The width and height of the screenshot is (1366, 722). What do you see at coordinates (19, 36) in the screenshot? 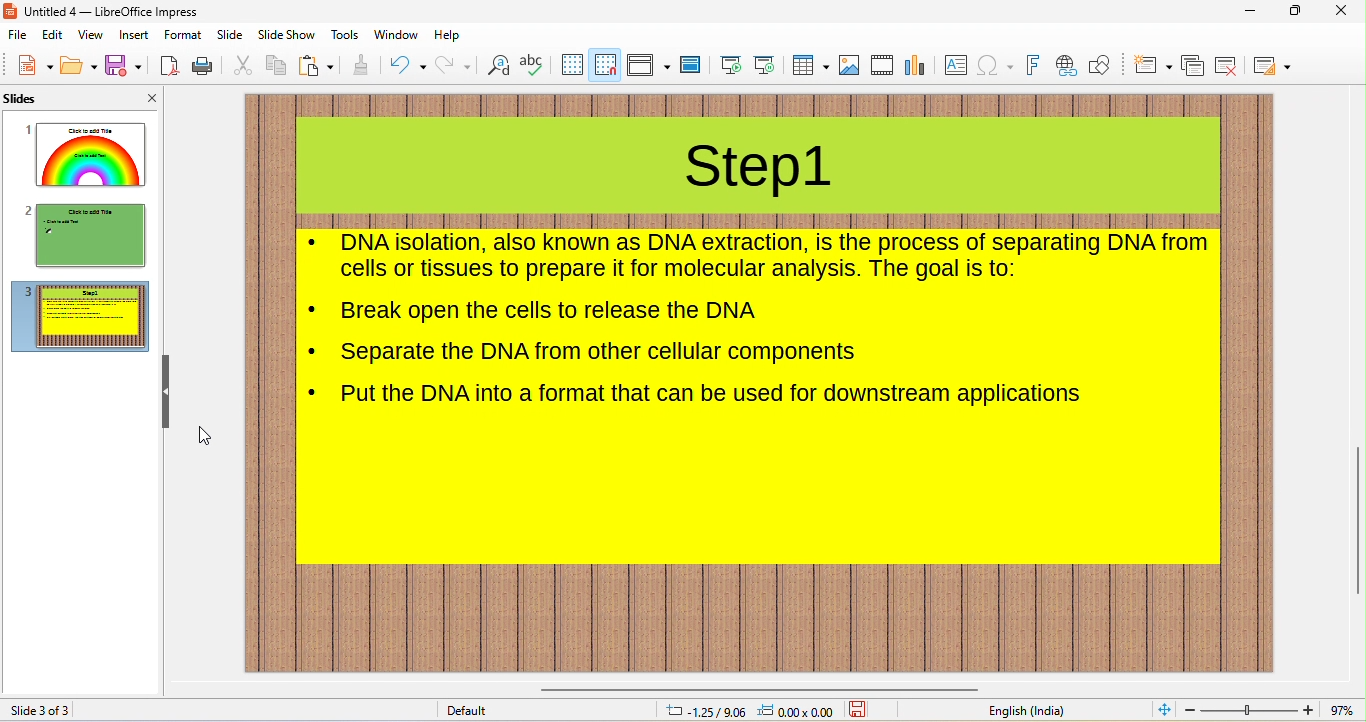
I see `file` at bounding box center [19, 36].